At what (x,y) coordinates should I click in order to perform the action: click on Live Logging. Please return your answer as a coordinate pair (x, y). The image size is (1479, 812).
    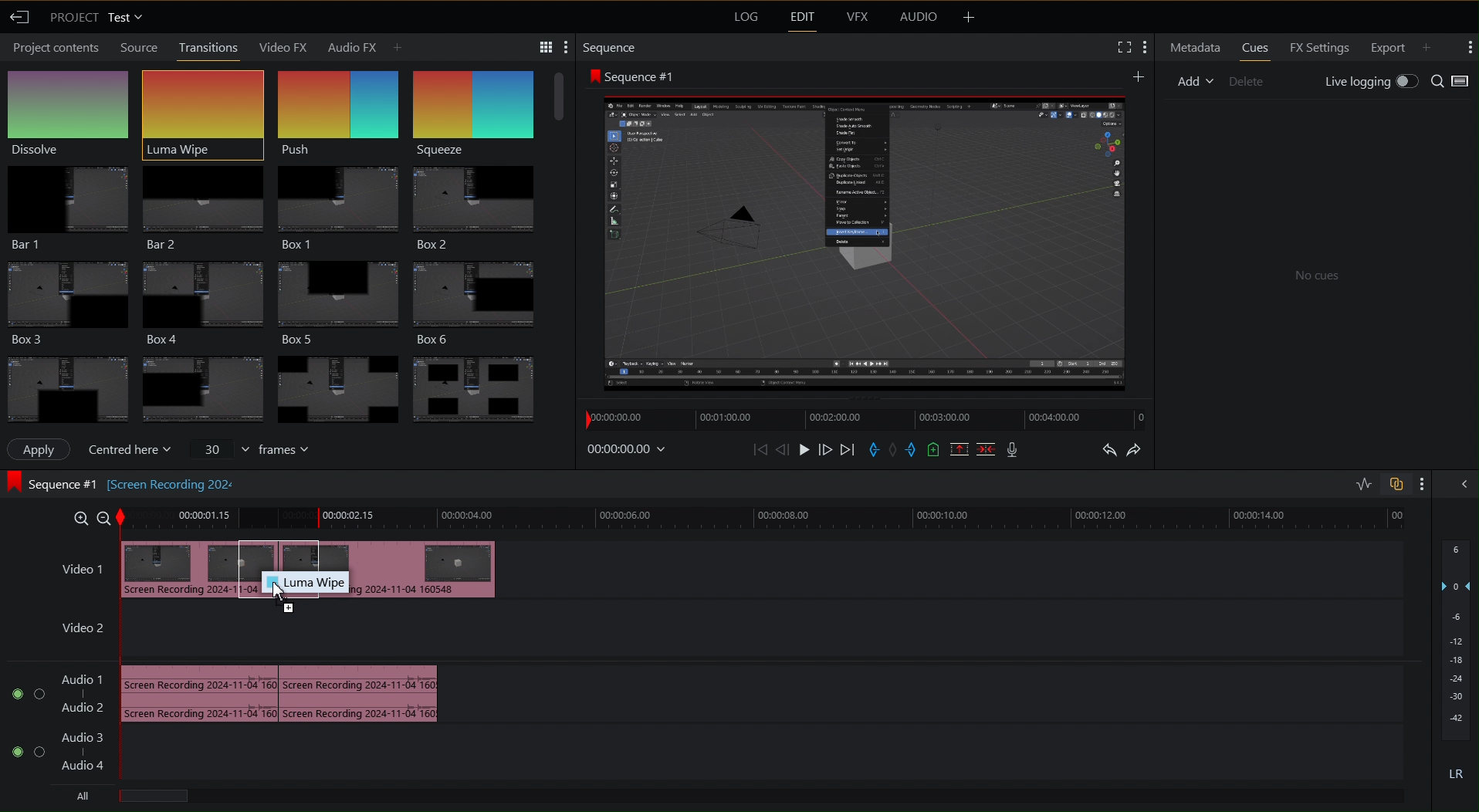
    Looking at the image, I should click on (1371, 80).